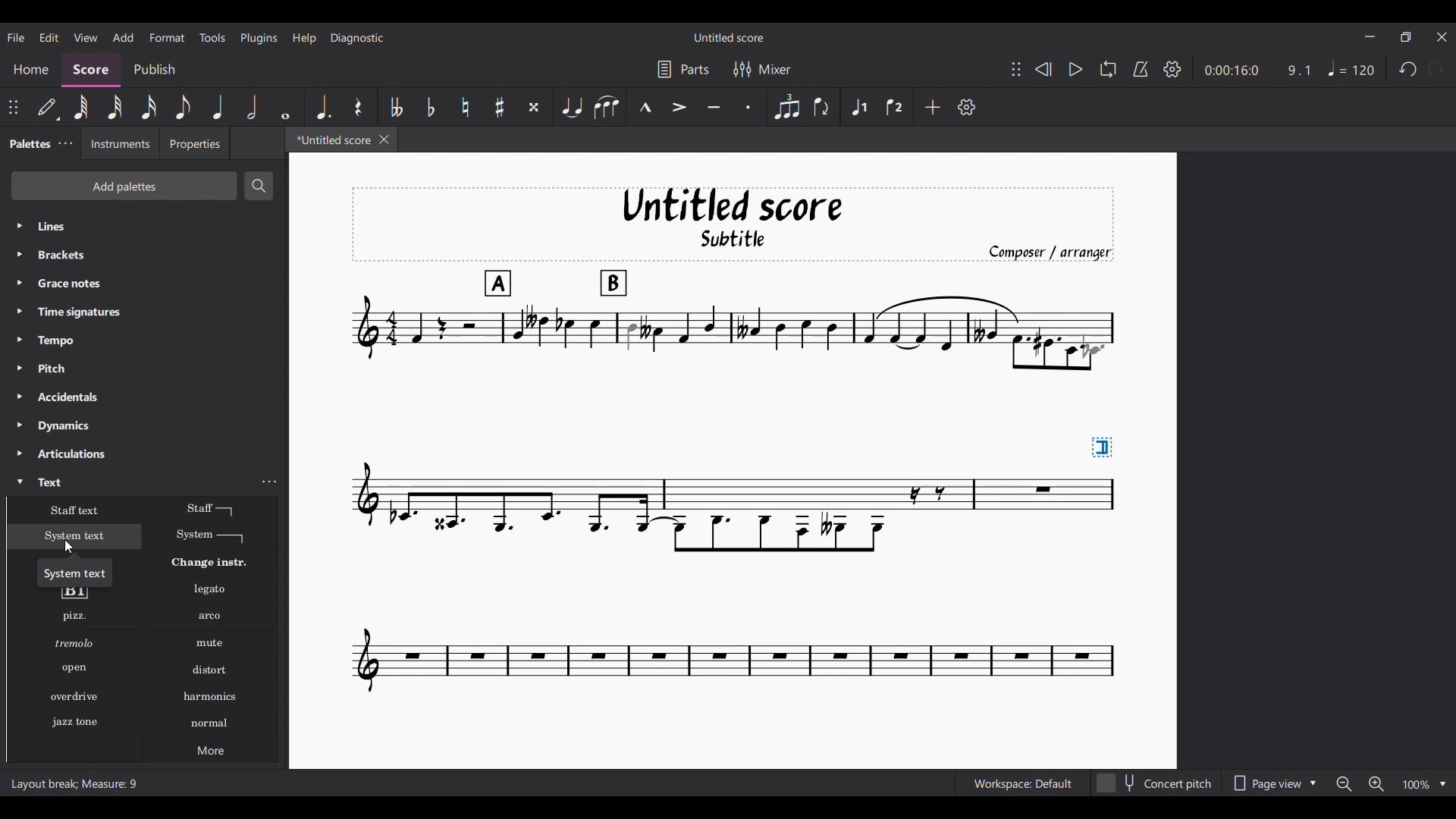 Image resolution: width=1456 pixels, height=819 pixels. I want to click on Open, so click(74, 669).